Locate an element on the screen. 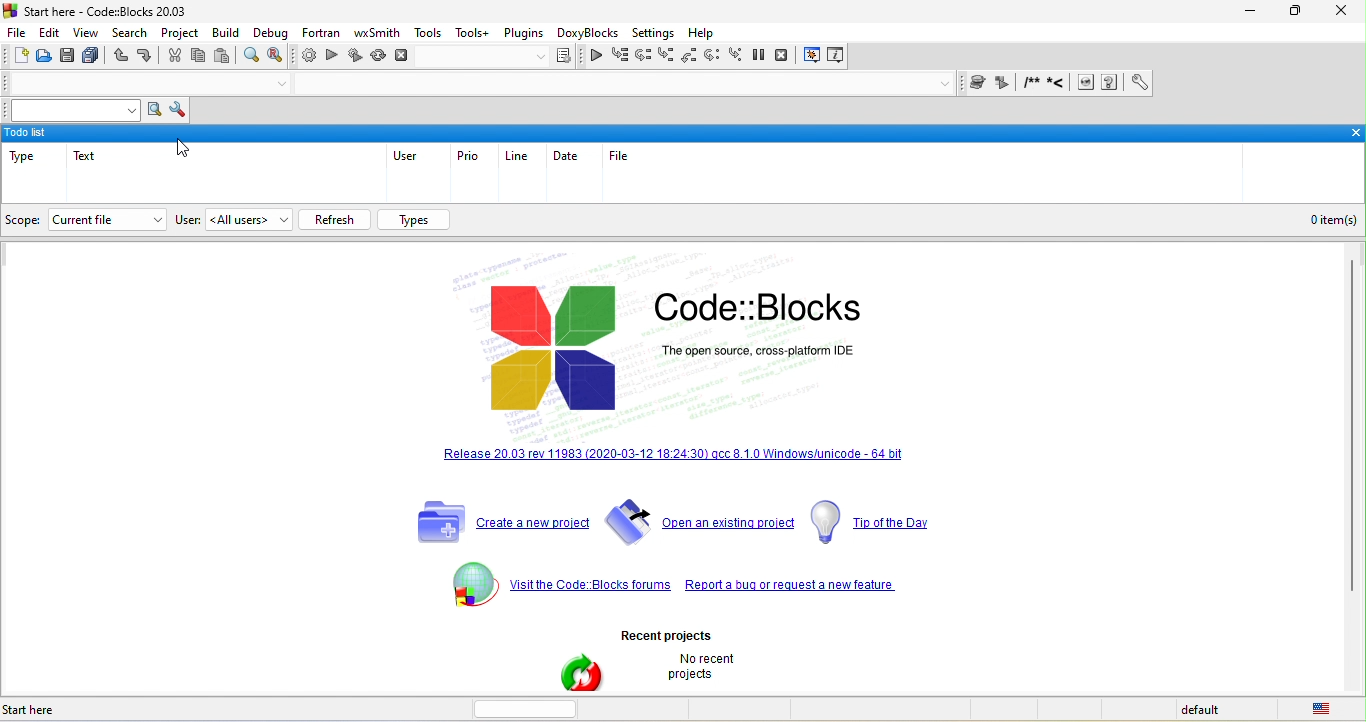  help is located at coordinates (705, 34).